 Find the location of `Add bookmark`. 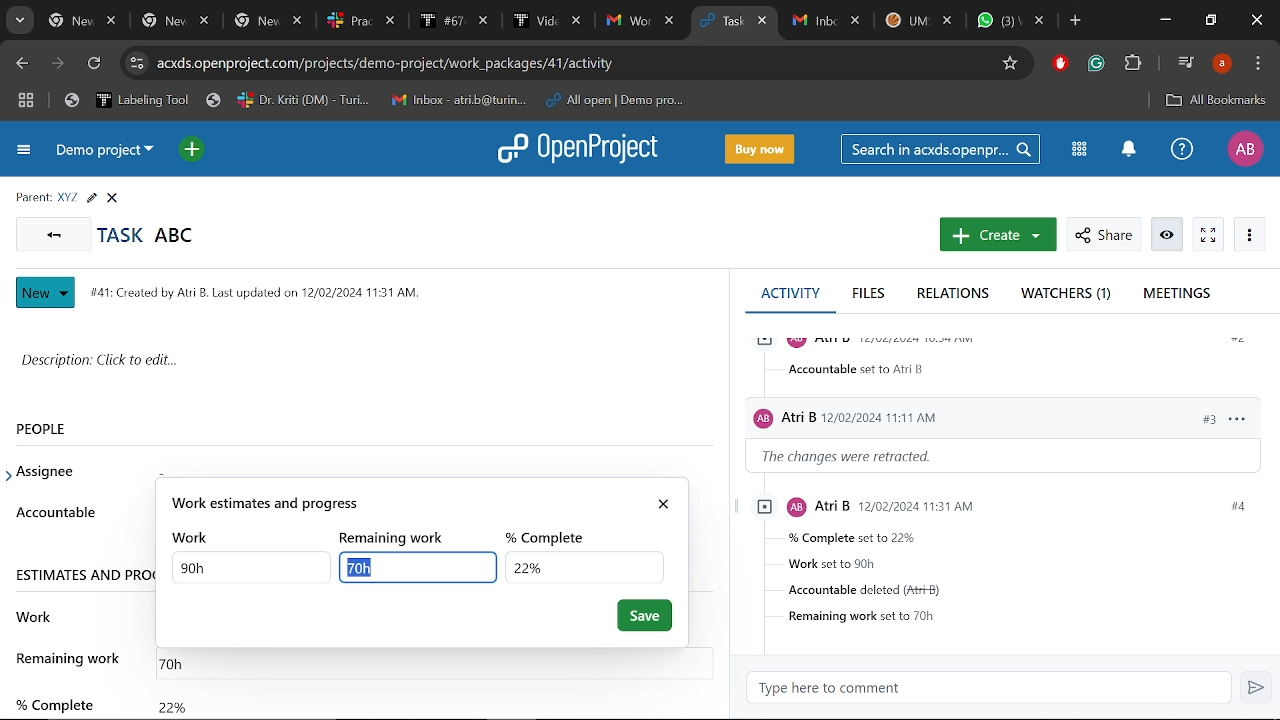

Add bookmark is located at coordinates (1215, 100).